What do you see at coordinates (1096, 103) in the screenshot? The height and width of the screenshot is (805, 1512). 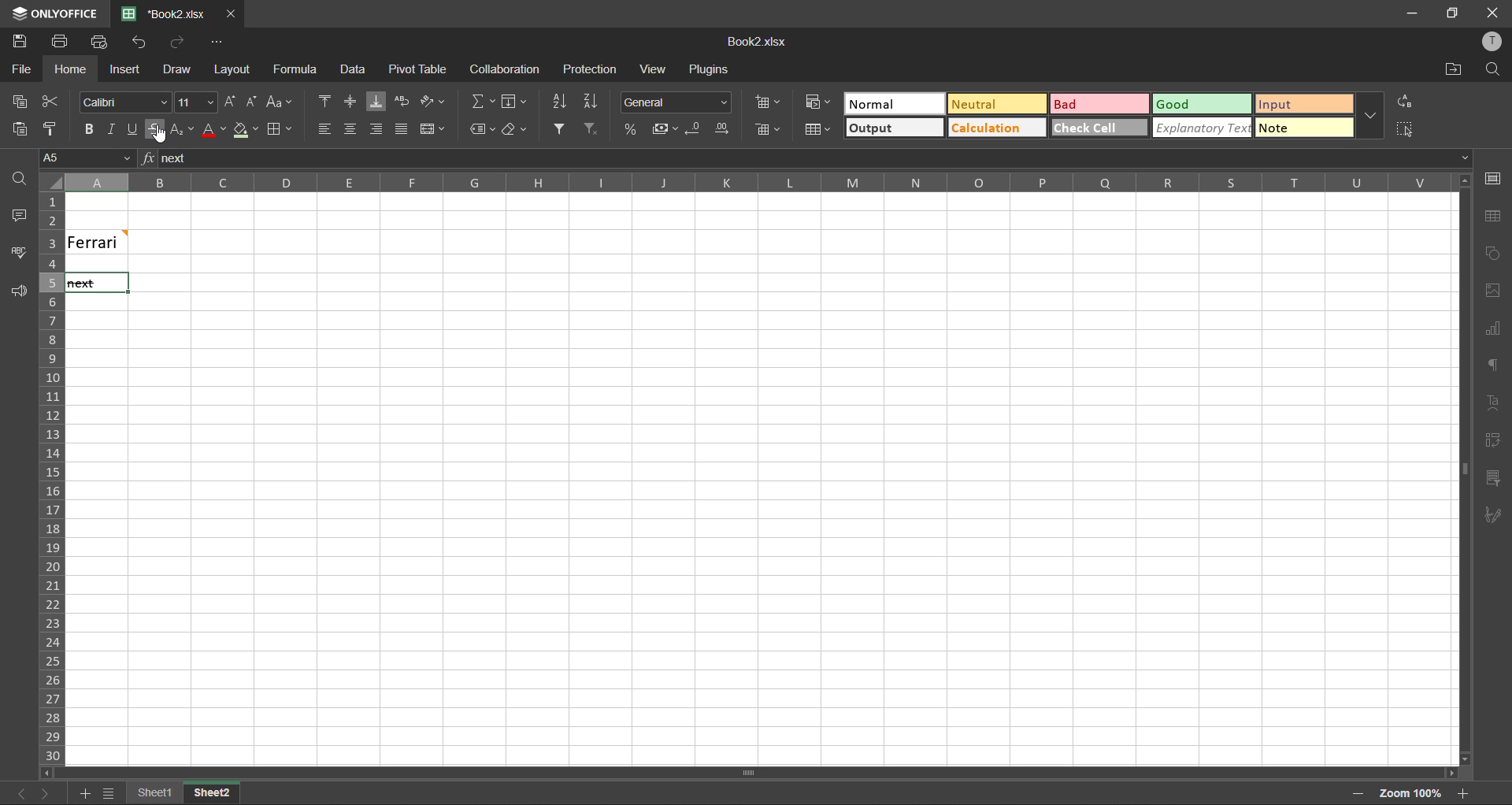 I see `bad` at bounding box center [1096, 103].